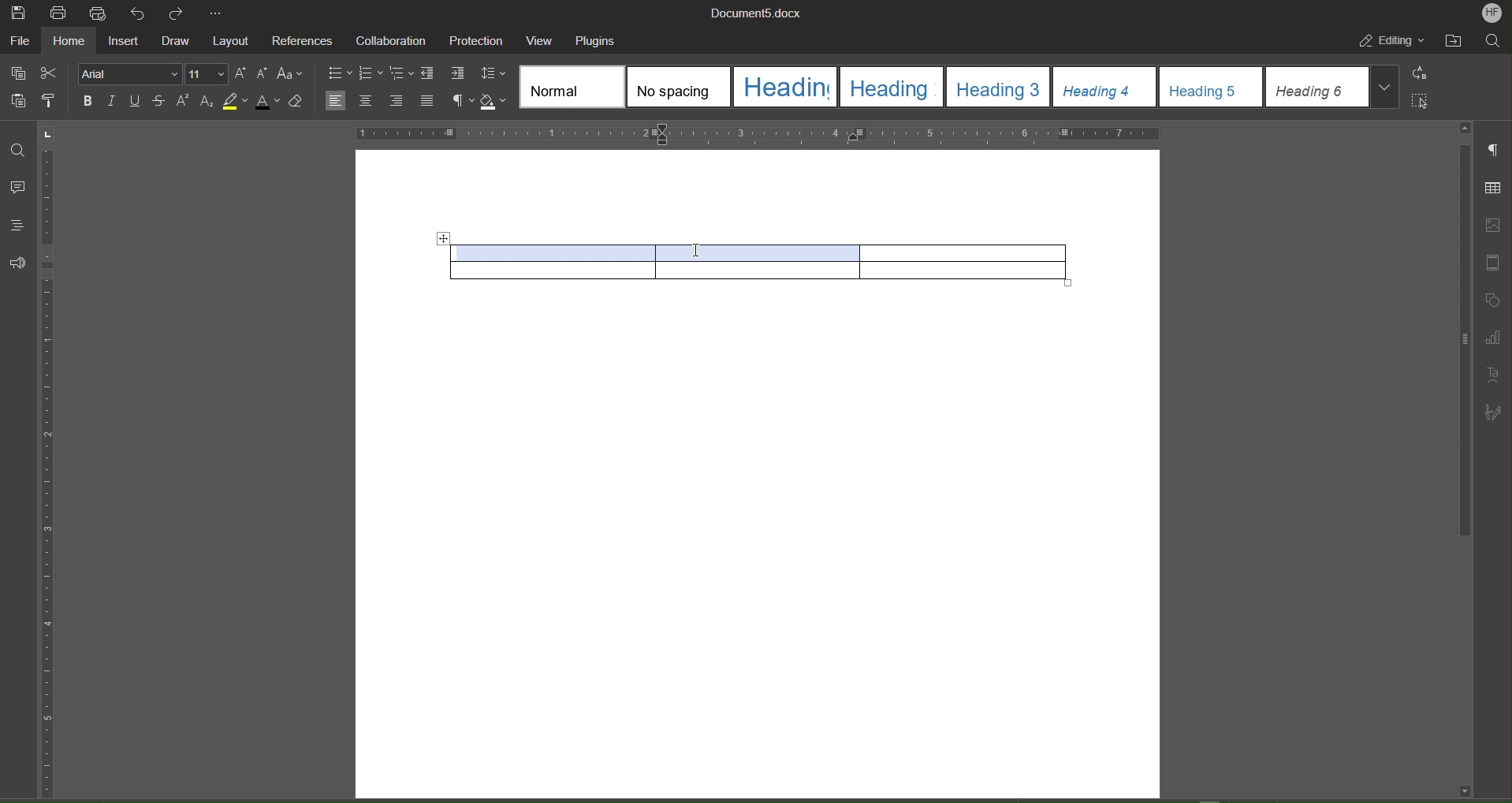 The image size is (1512, 803). What do you see at coordinates (1495, 263) in the screenshot?
I see `Header and Footer` at bounding box center [1495, 263].